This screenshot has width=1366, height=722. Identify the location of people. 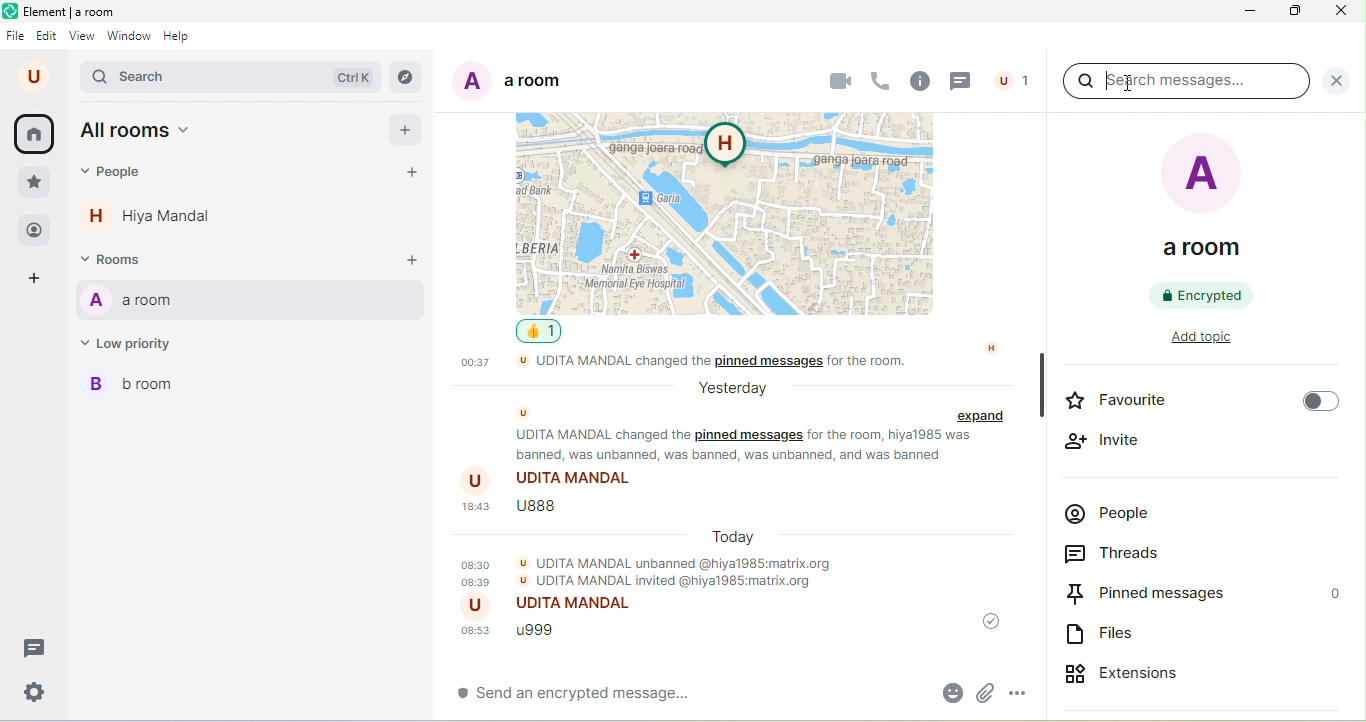
(1013, 79).